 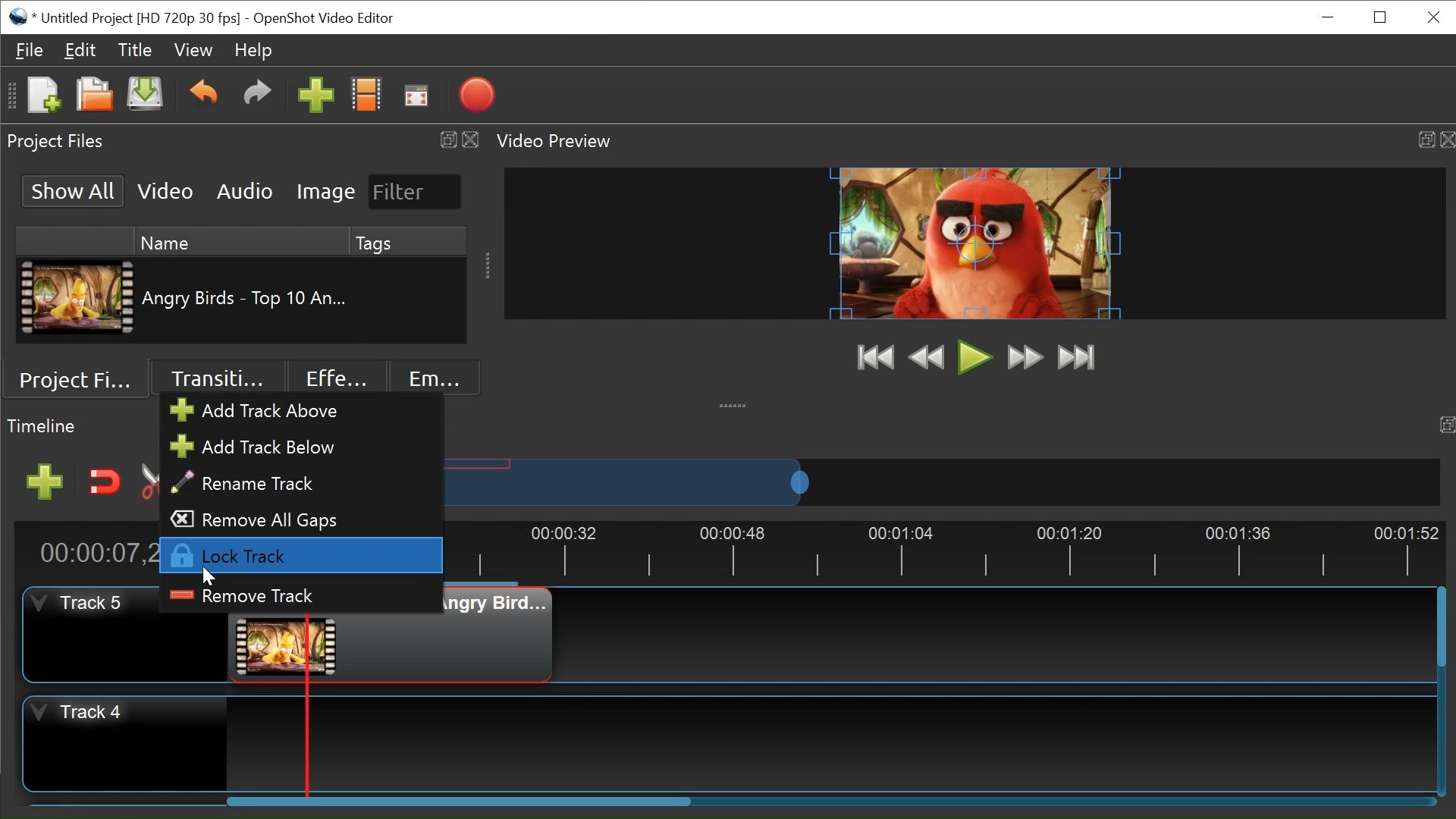 I want to click on OpenShot Video Editor, so click(x=331, y=18).